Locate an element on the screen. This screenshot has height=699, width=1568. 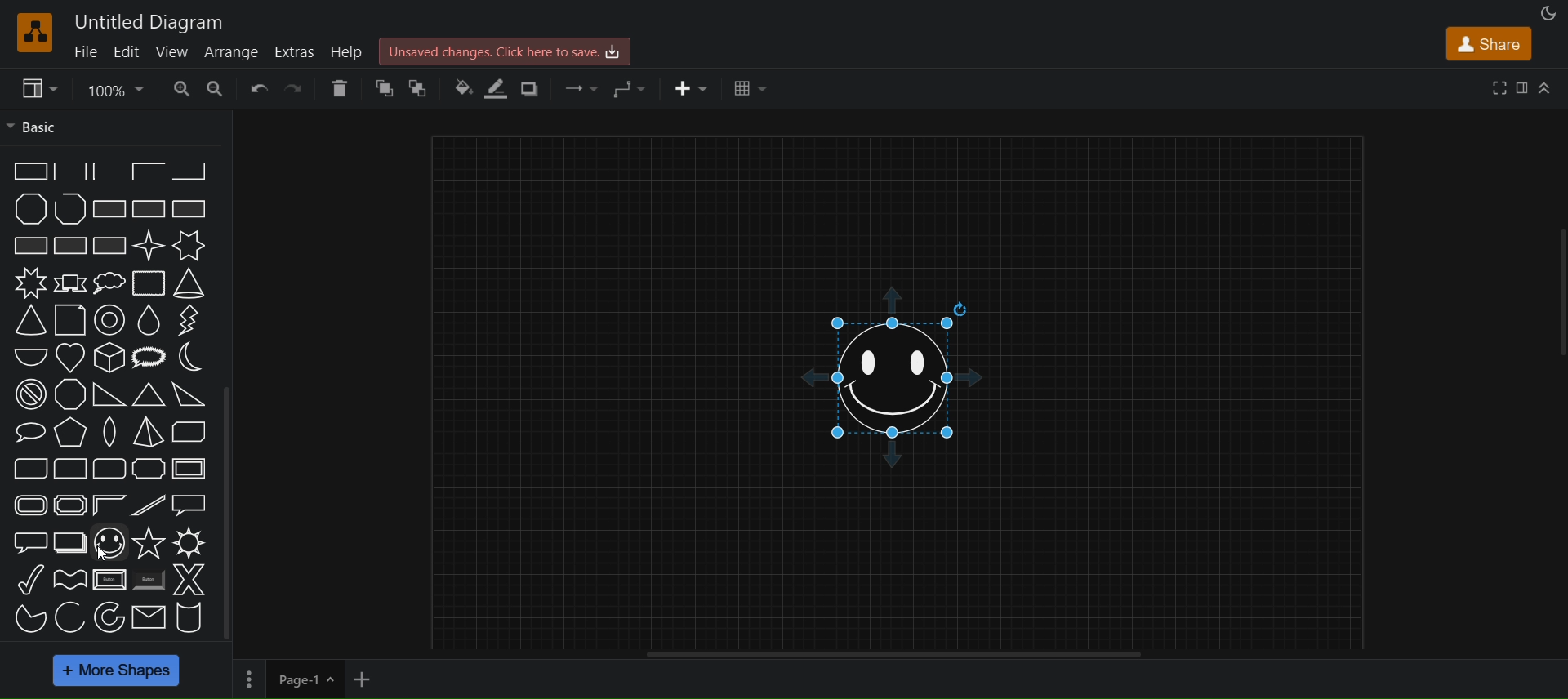
rectangle with horizontal fill is located at coordinates (191, 207).